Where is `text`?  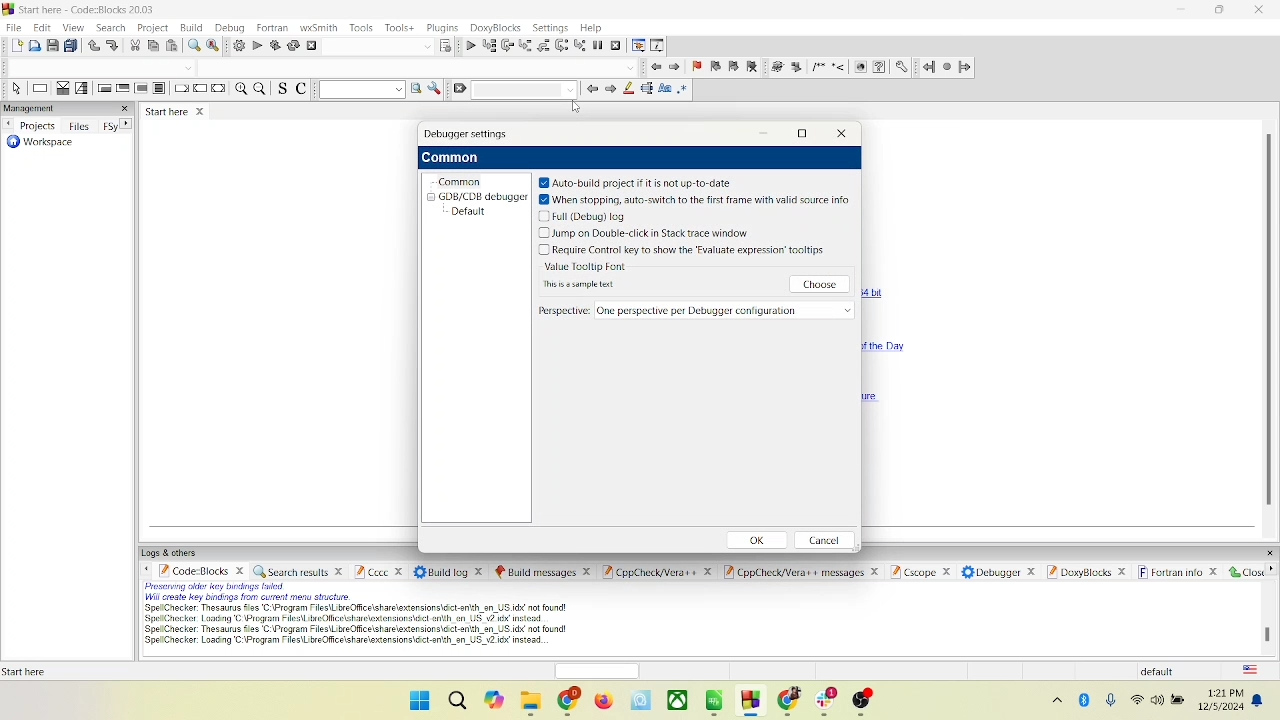
text is located at coordinates (28, 670).